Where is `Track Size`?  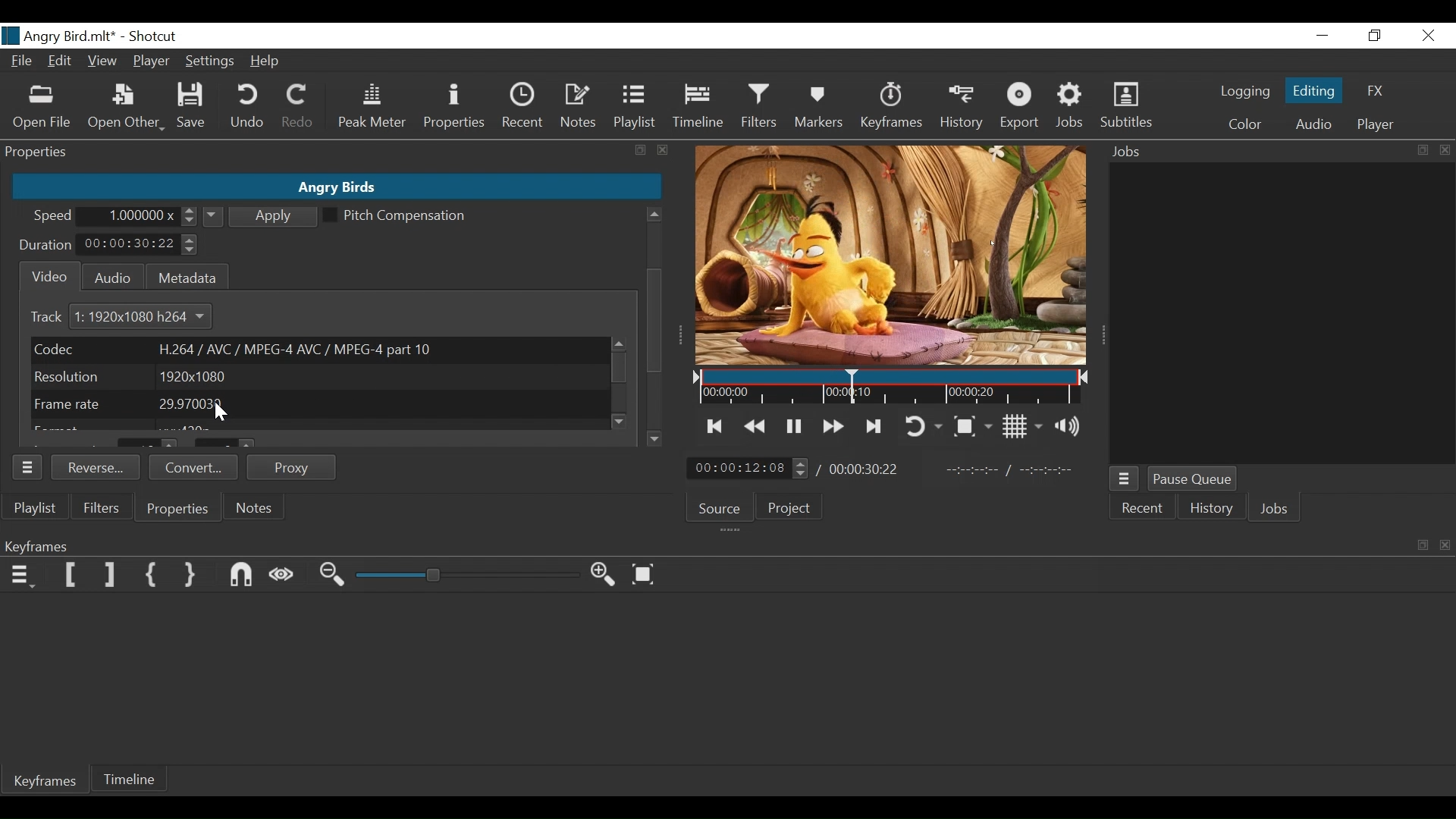 Track Size is located at coordinates (149, 317).